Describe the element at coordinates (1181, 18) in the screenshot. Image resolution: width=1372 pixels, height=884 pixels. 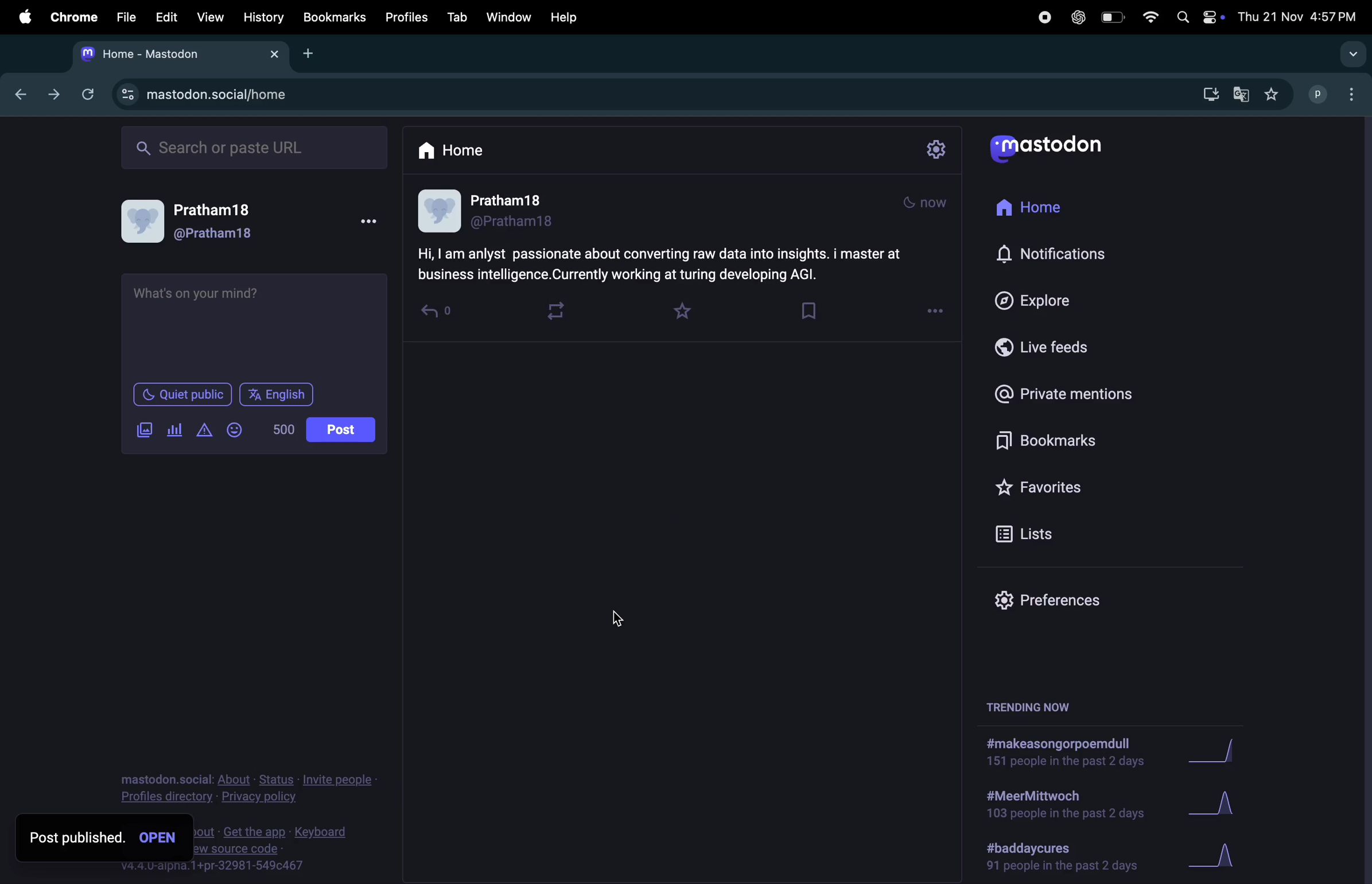
I see `spotlight search` at that location.